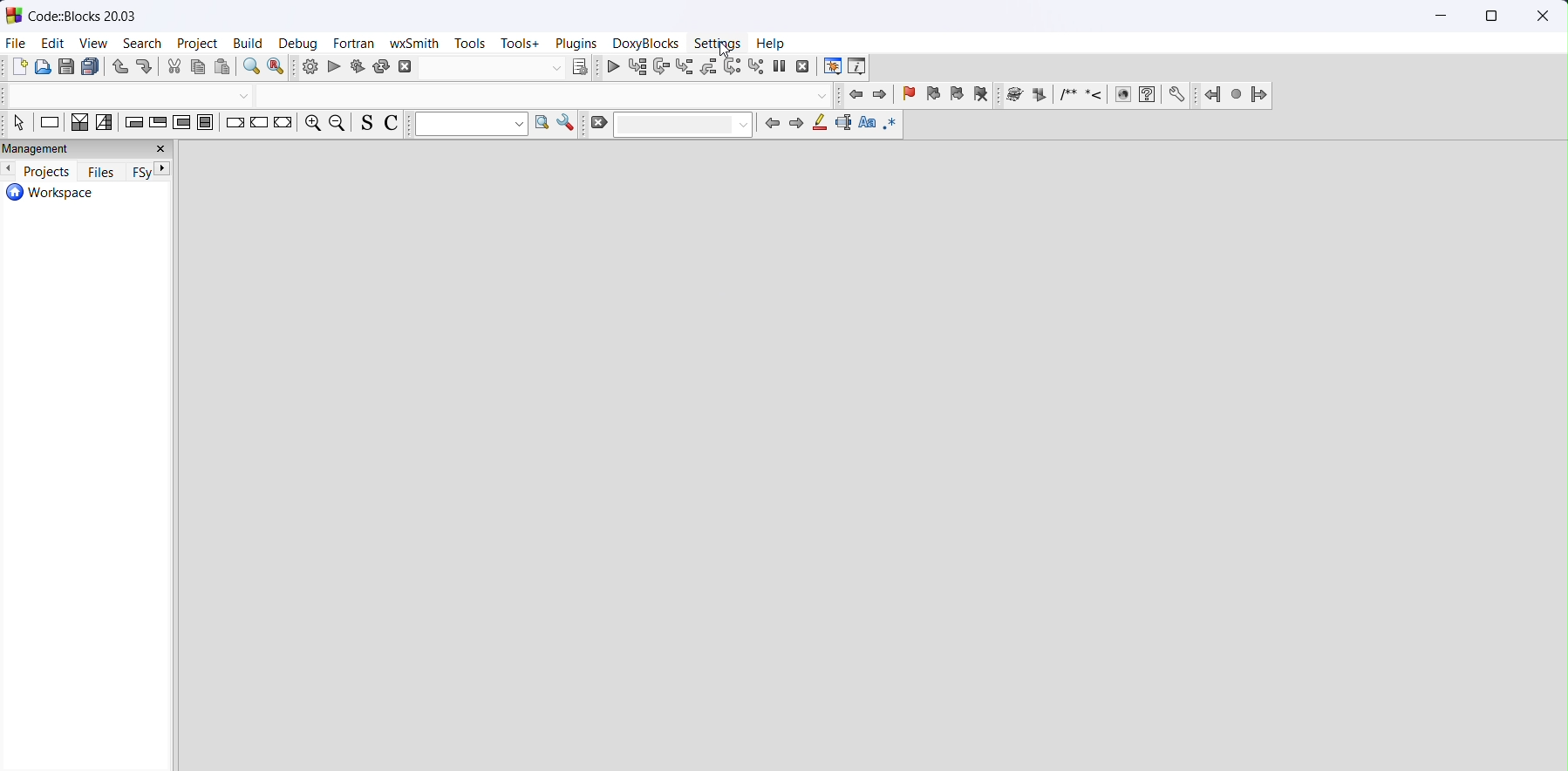 The width and height of the screenshot is (1568, 771). What do you see at coordinates (132, 124) in the screenshot?
I see `empty conditional loop` at bounding box center [132, 124].